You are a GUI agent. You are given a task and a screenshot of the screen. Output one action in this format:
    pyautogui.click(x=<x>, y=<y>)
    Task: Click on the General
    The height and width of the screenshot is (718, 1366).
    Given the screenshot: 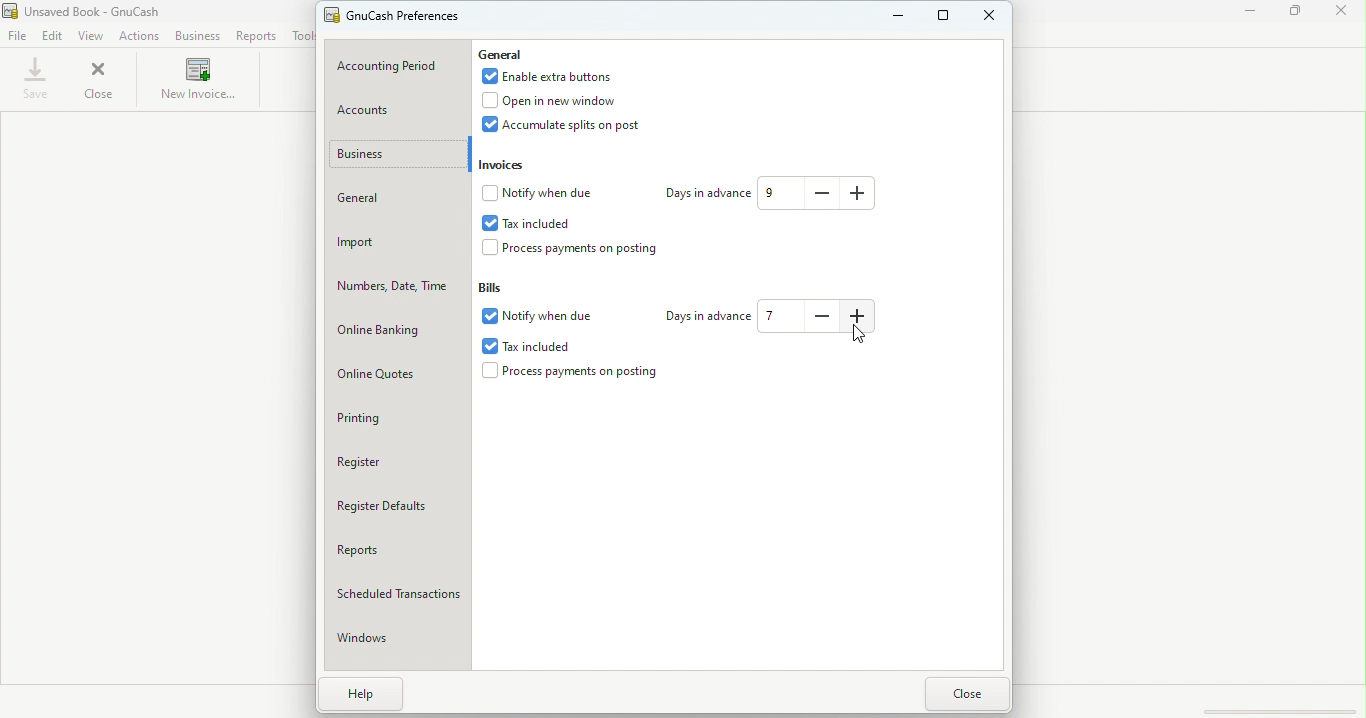 What is the action you would take?
    pyautogui.click(x=394, y=200)
    